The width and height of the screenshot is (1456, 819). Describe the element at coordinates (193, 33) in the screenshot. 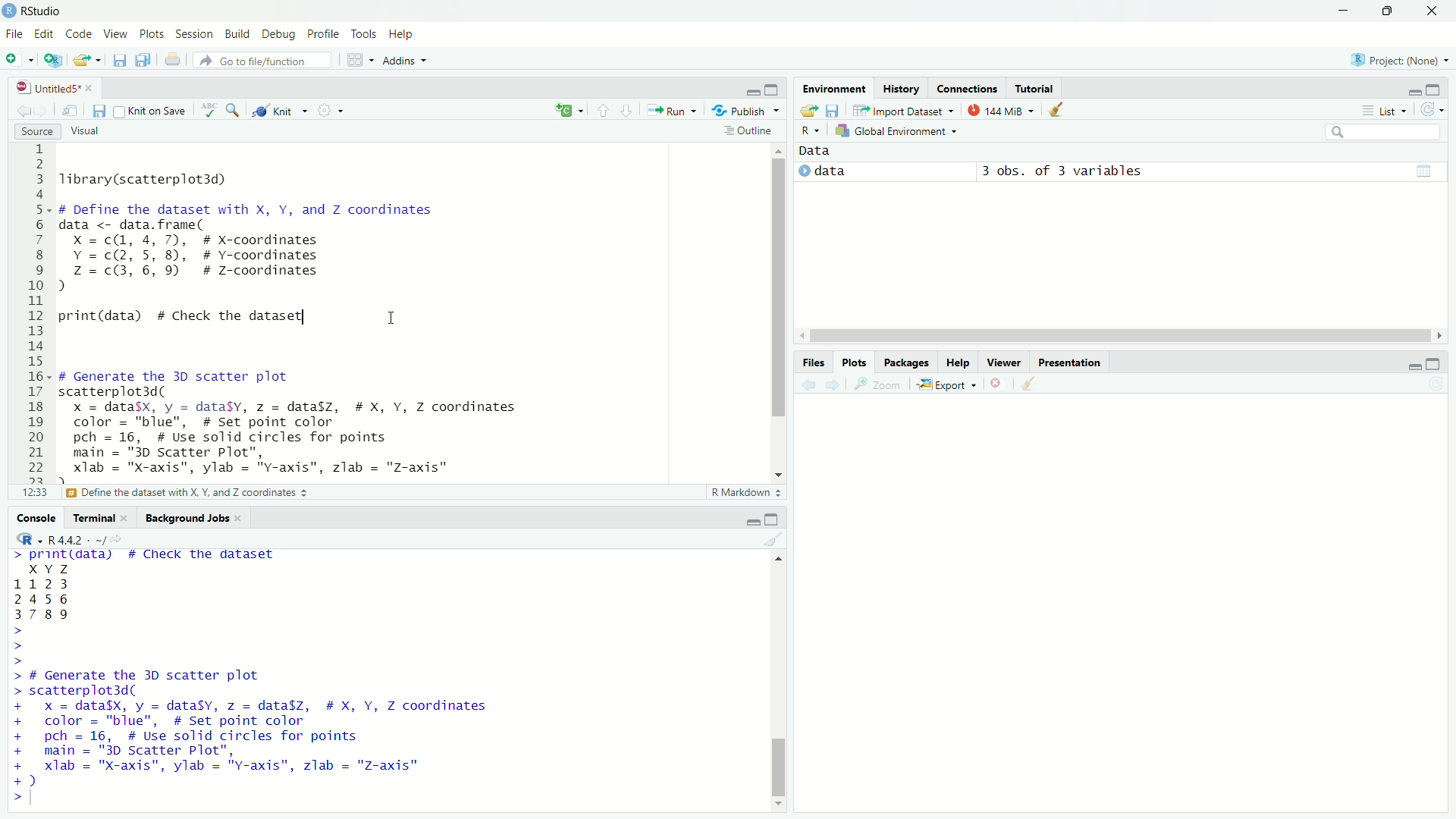

I see `session` at that location.